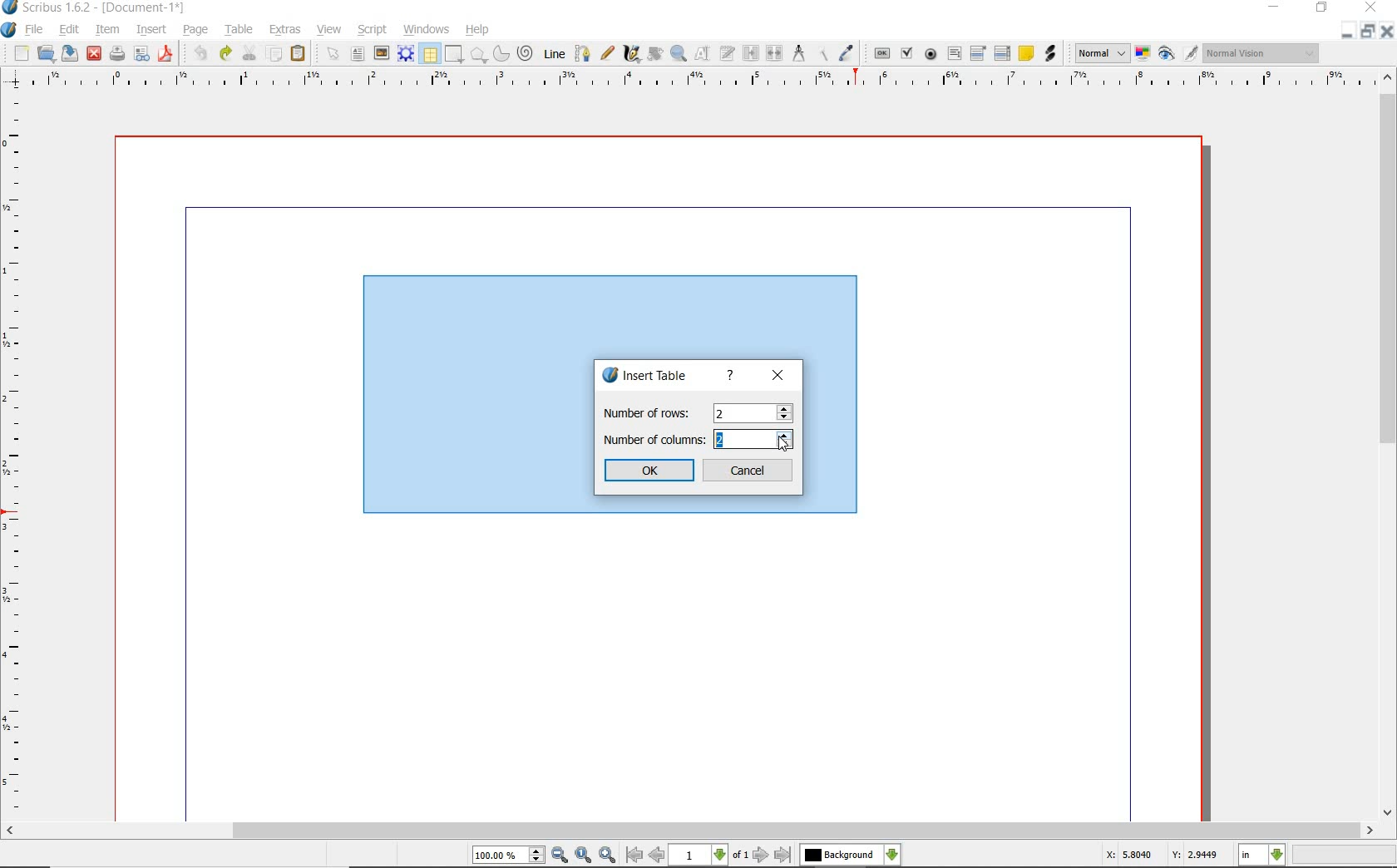  I want to click on edit contents of frame, so click(703, 54).